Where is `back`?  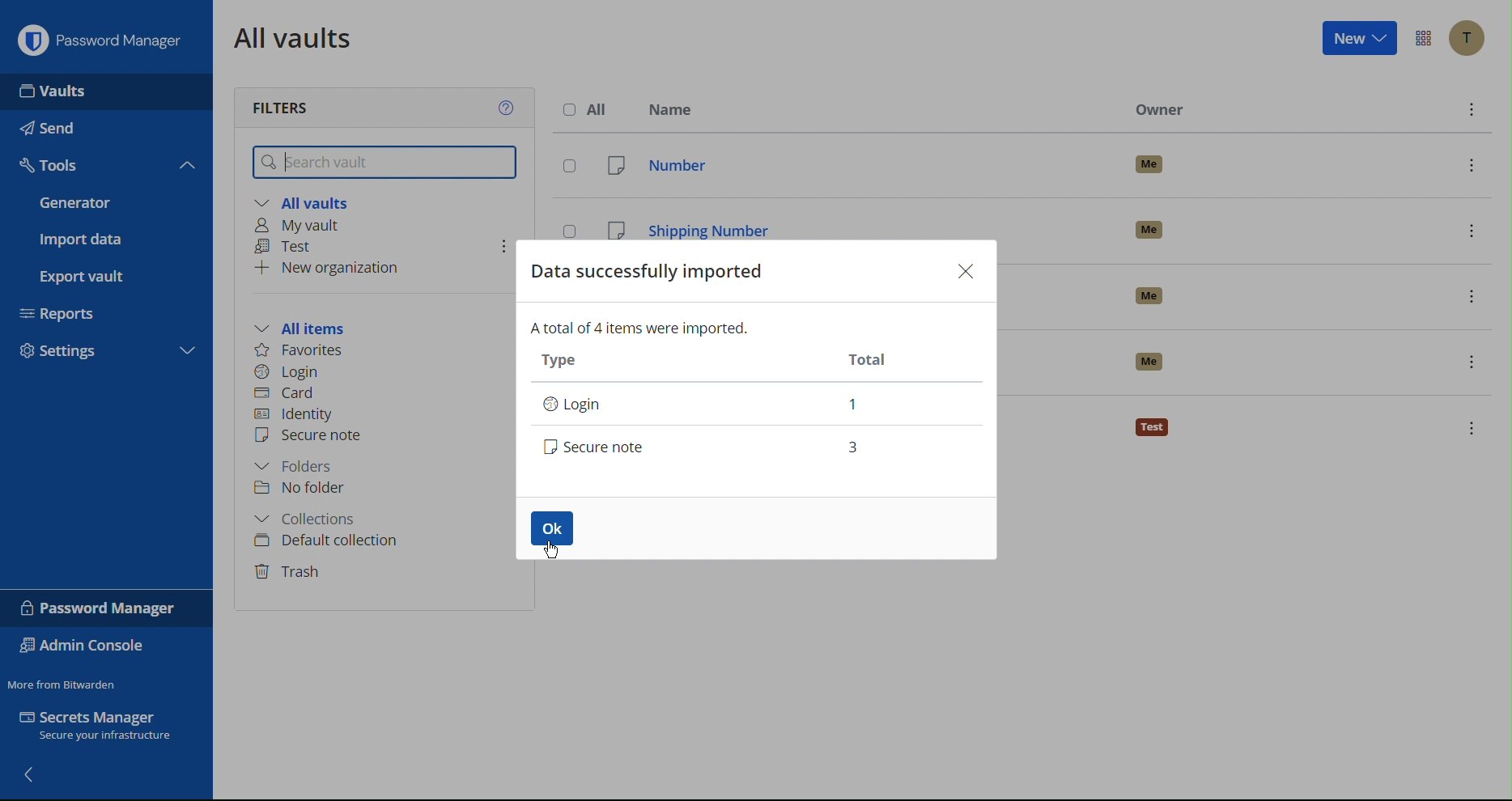 back is located at coordinates (30, 776).